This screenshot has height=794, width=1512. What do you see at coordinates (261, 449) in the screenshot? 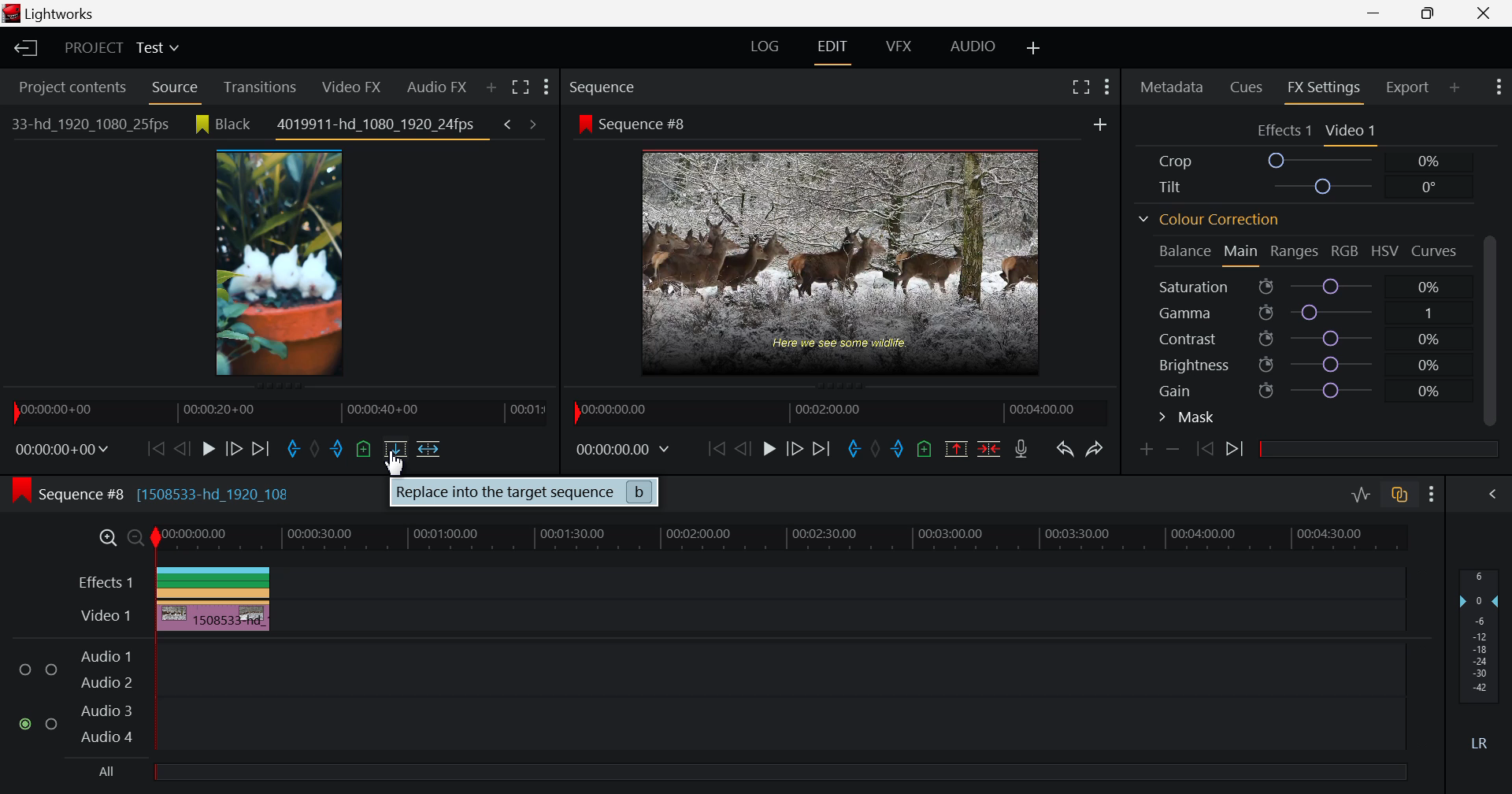
I see `To End` at bounding box center [261, 449].